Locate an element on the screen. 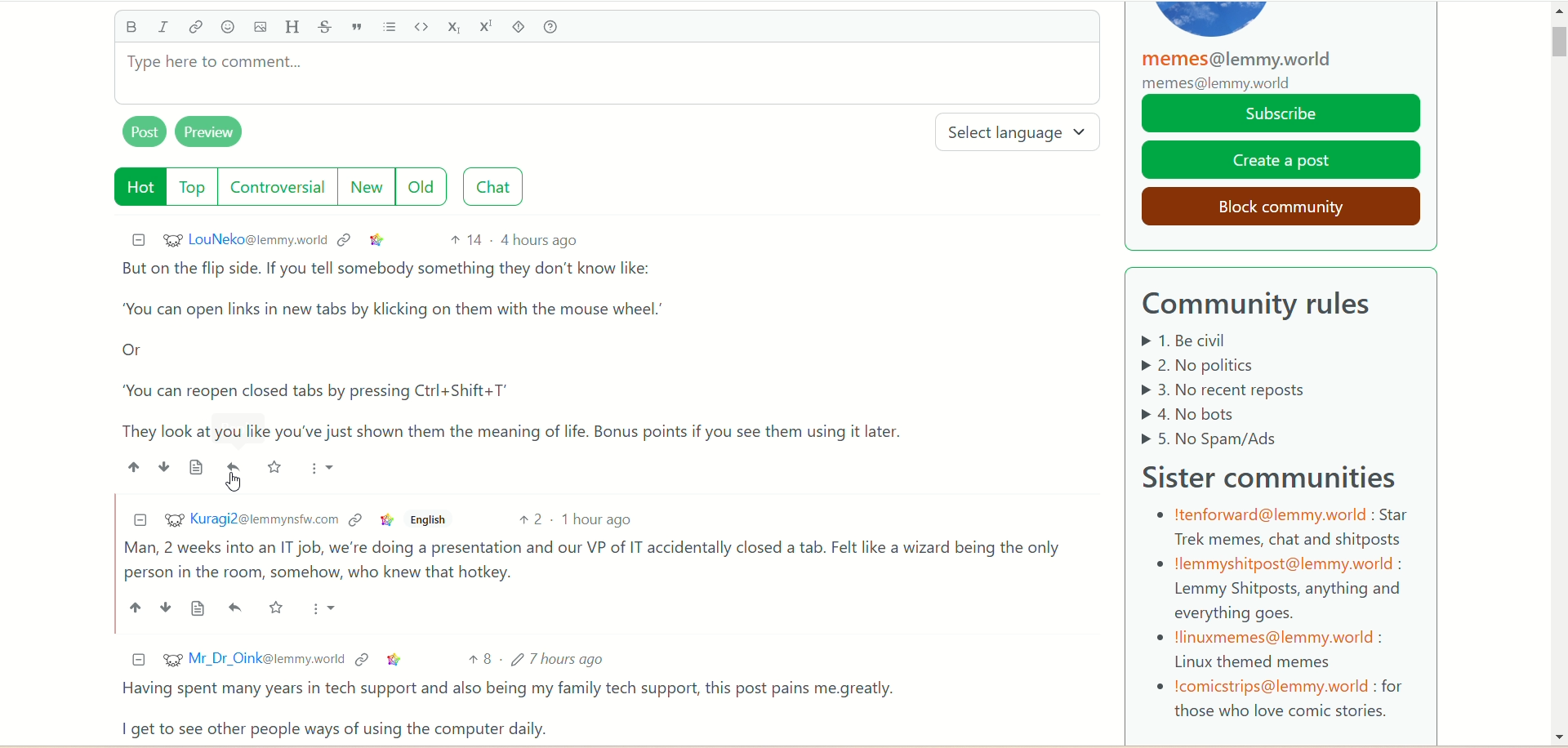 The image size is (1568, 748). italics is located at coordinates (167, 28).